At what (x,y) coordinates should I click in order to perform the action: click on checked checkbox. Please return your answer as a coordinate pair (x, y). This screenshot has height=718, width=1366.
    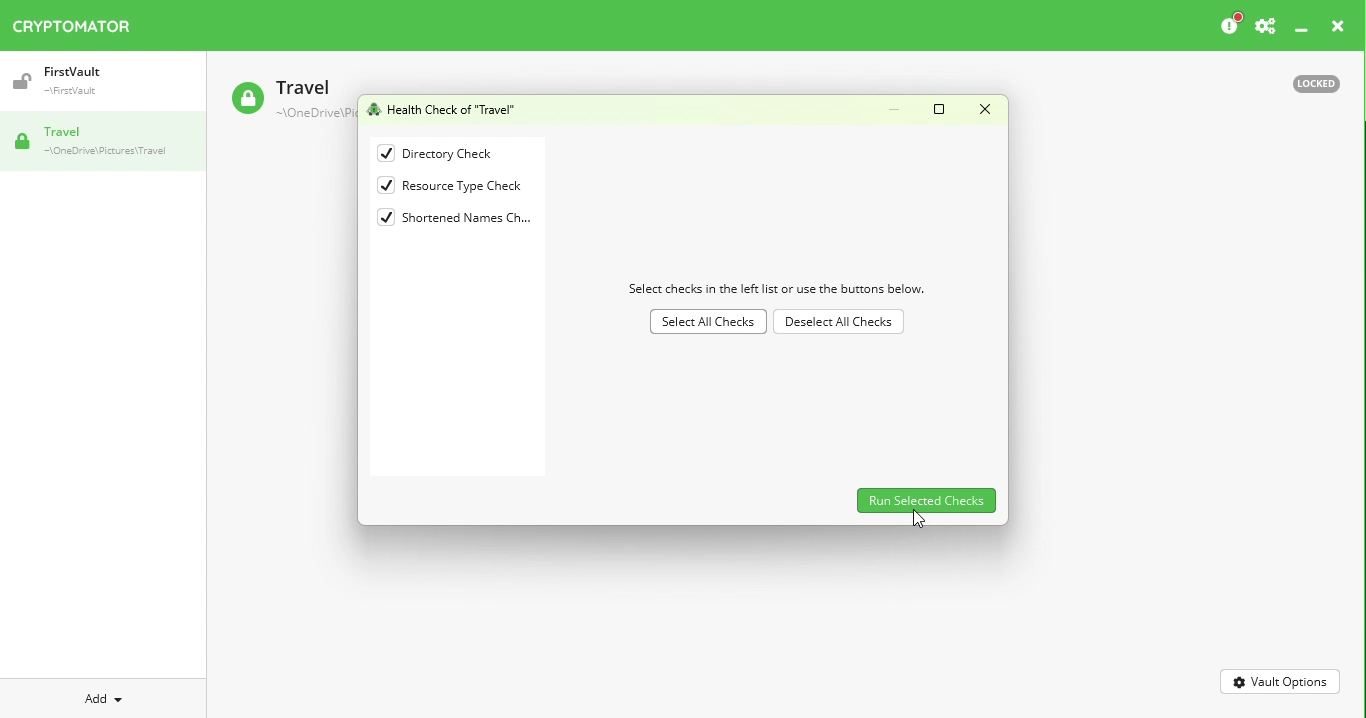
    Looking at the image, I should click on (386, 186).